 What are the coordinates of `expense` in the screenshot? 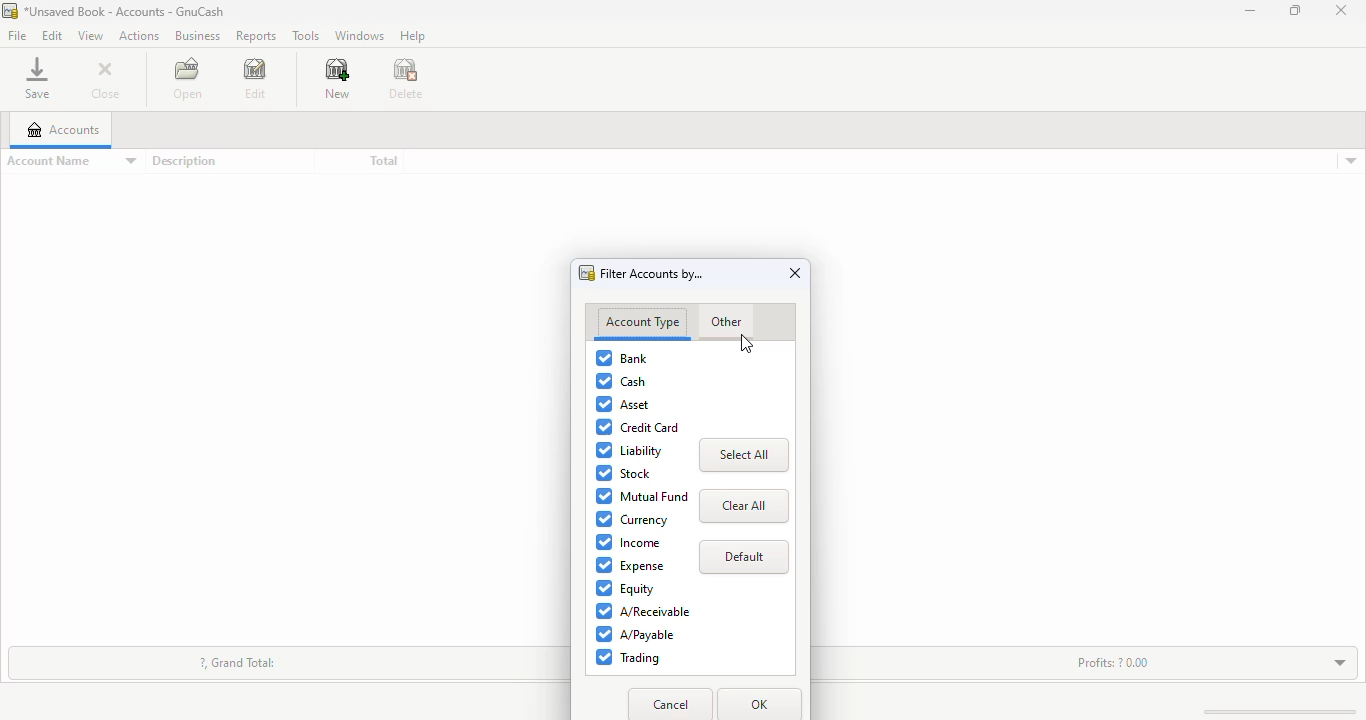 It's located at (630, 565).